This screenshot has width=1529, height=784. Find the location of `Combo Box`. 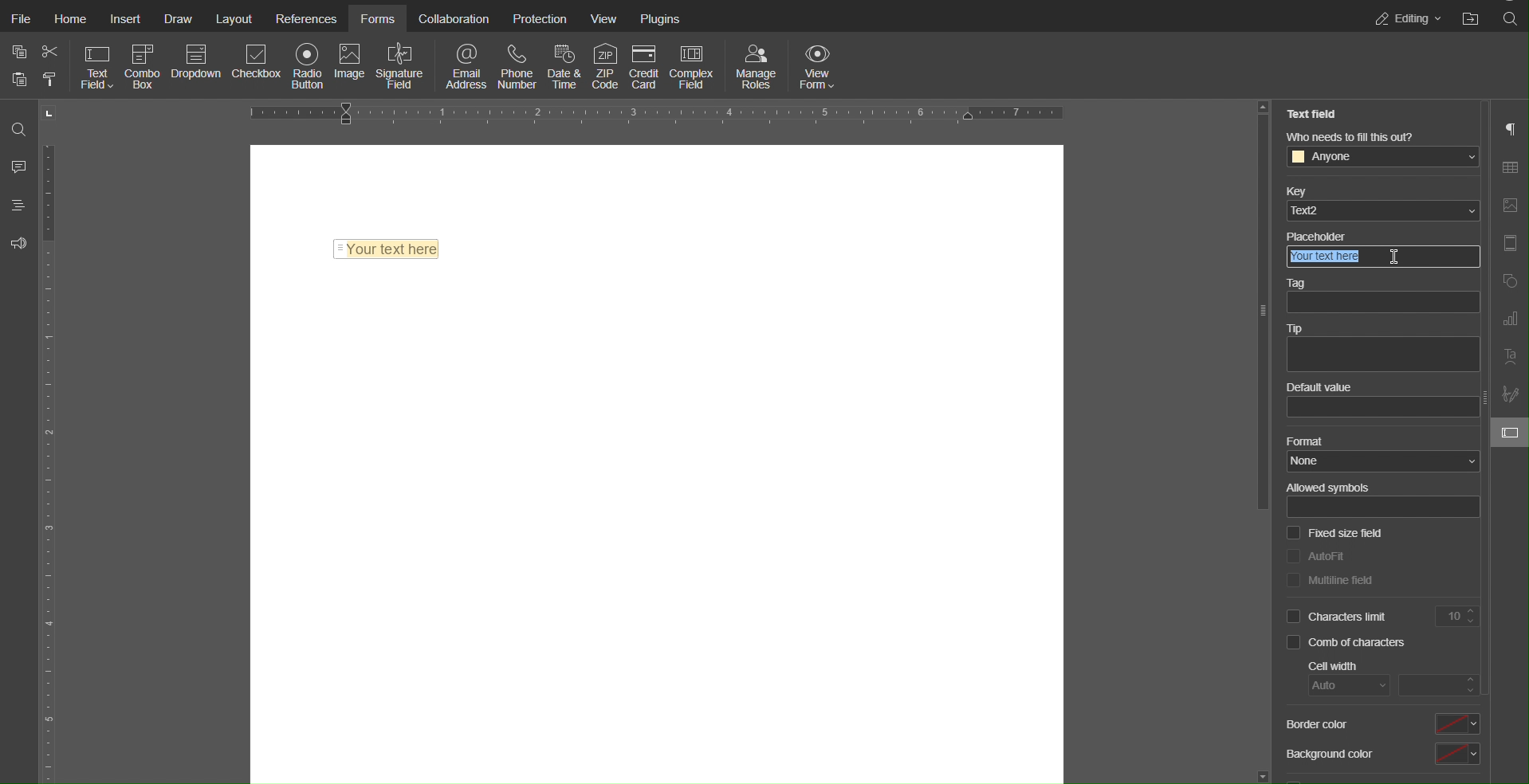

Combo Box is located at coordinates (145, 66).